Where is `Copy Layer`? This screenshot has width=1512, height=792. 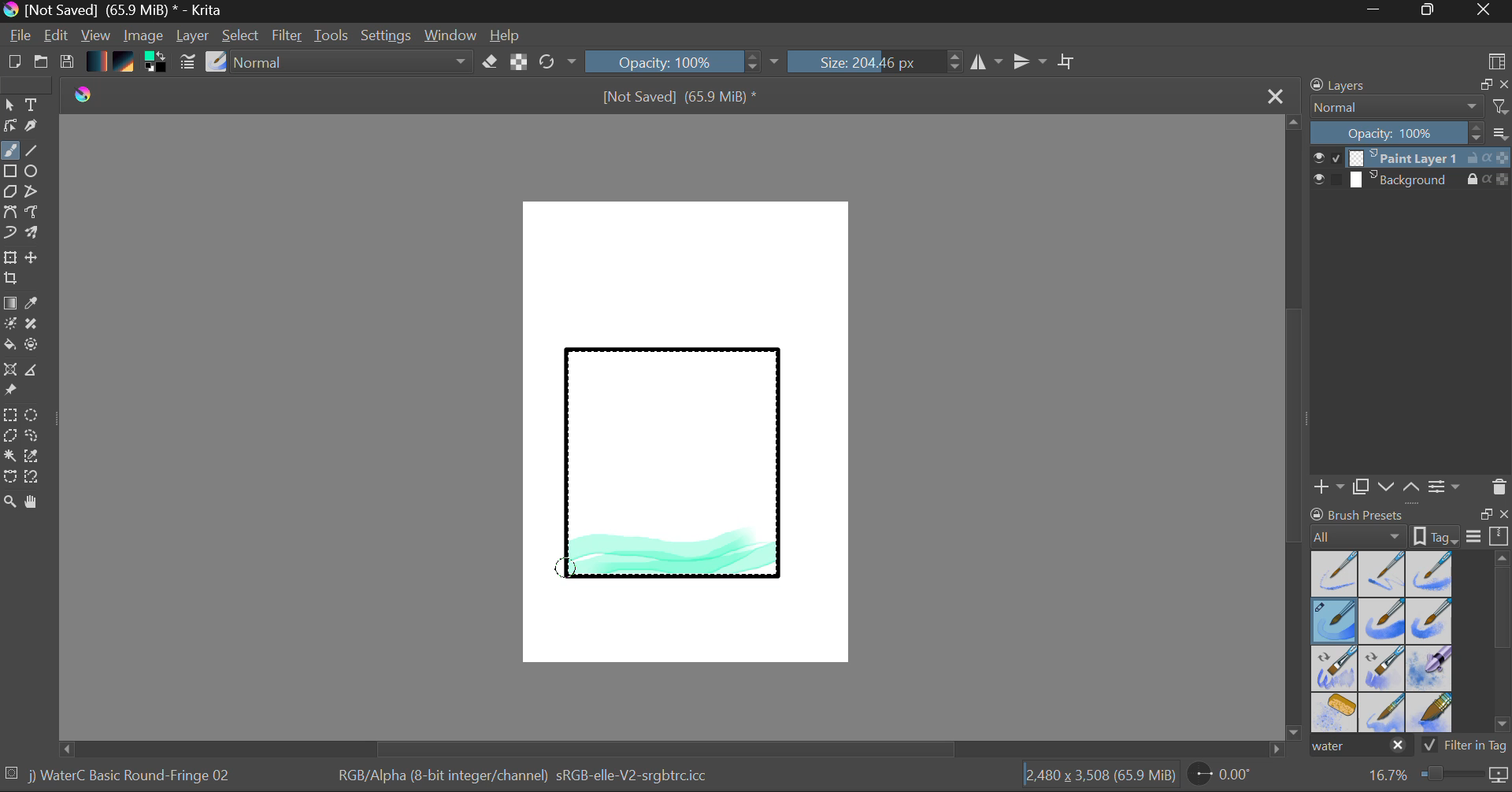
Copy Layer is located at coordinates (1362, 487).